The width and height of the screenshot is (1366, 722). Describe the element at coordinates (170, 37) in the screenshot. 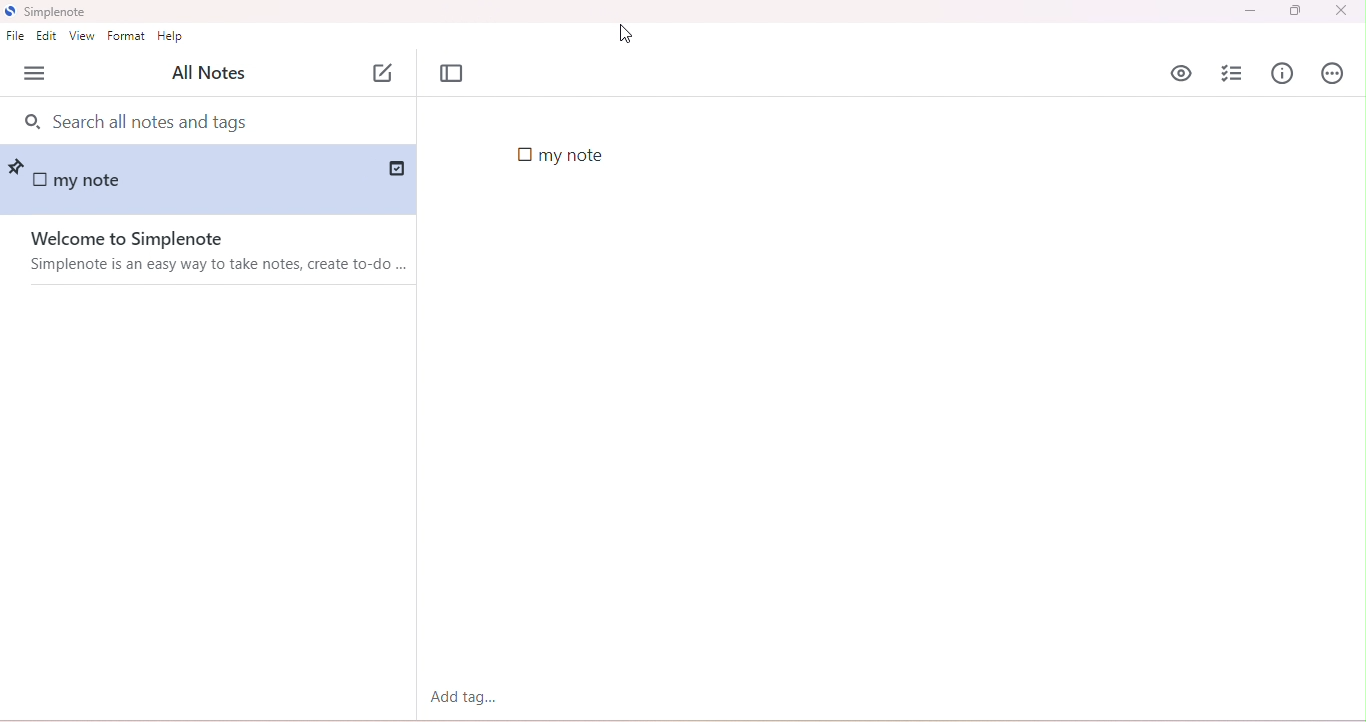

I see `help` at that location.